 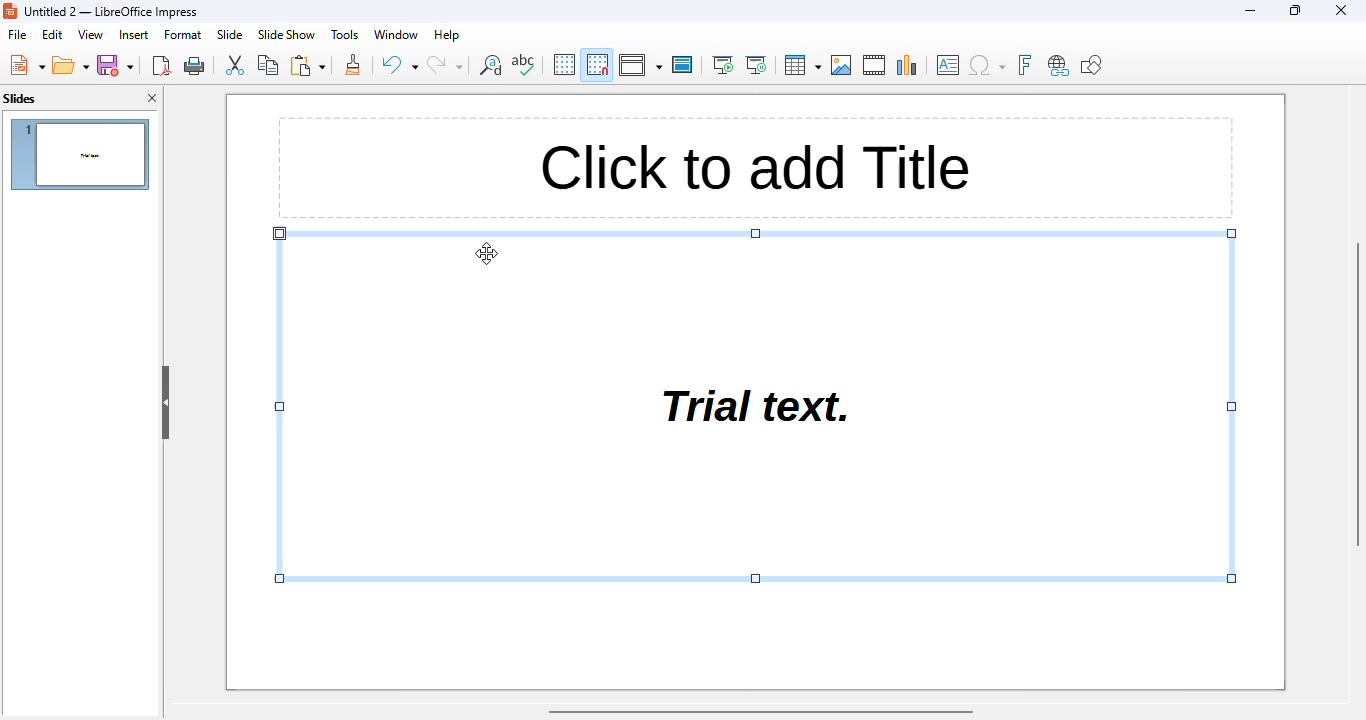 What do you see at coordinates (230, 34) in the screenshot?
I see `slide` at bounding box center [230, 34].